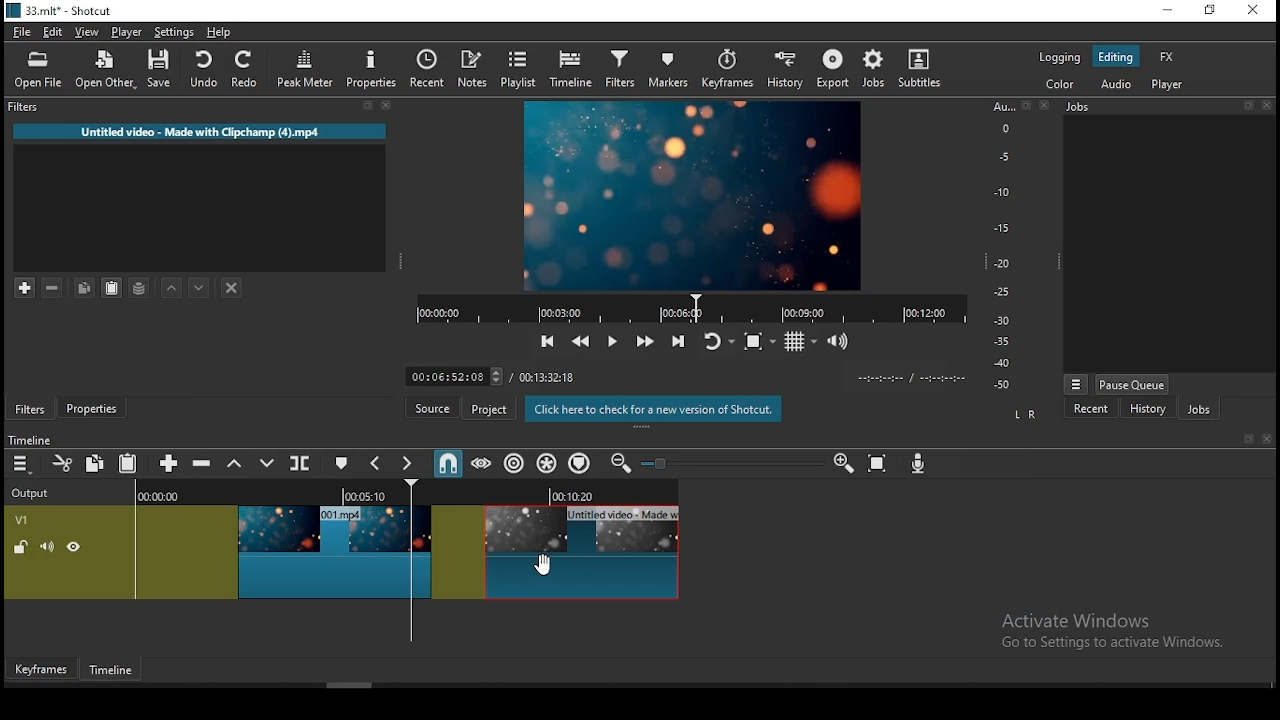  I want to click on scrub while dragging, so click(483, 464).